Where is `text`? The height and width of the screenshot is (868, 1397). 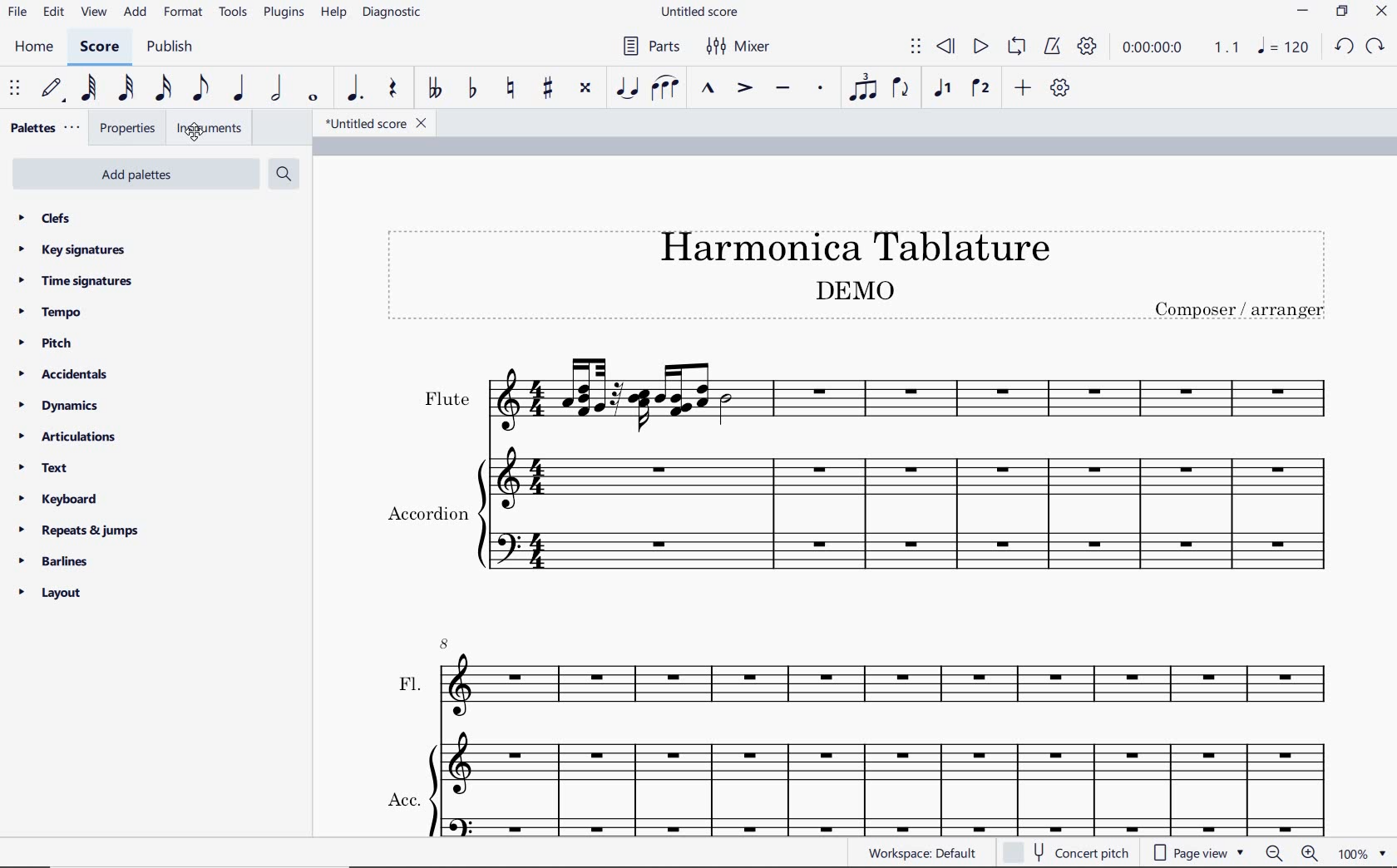 text is located at coordinates (46, 470).